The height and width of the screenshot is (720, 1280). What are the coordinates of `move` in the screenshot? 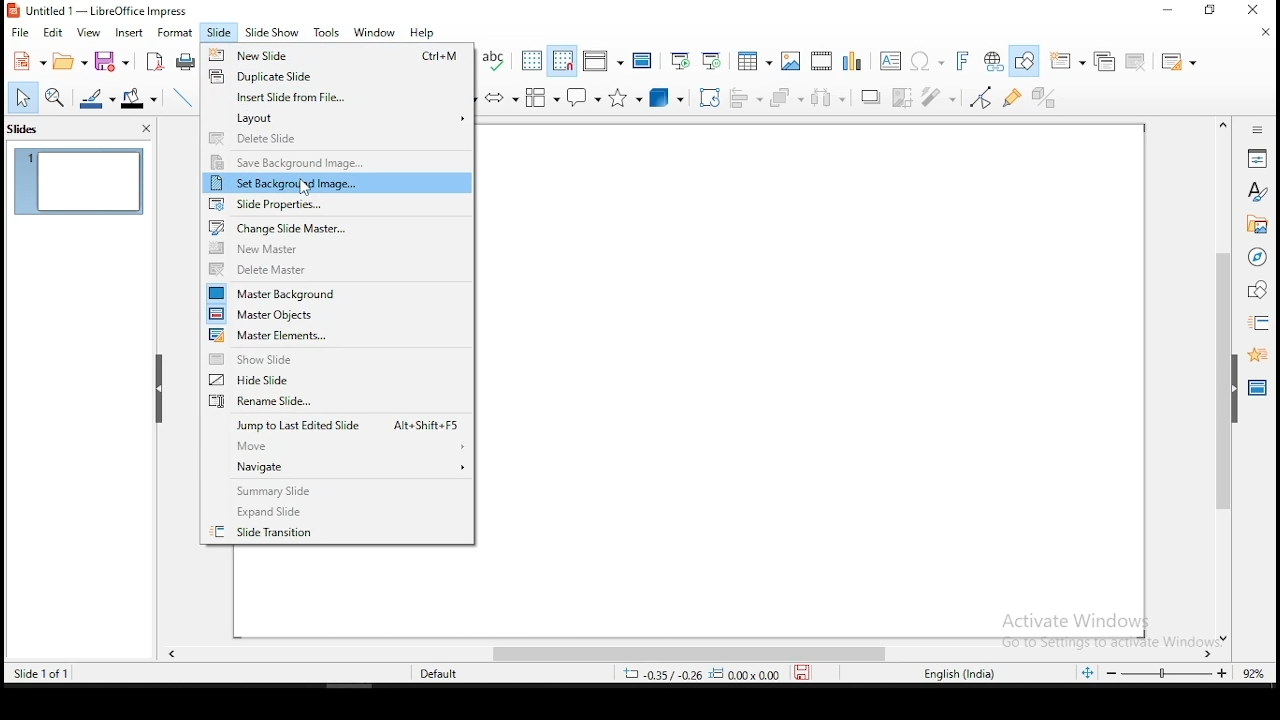 It's located at (336, 445).